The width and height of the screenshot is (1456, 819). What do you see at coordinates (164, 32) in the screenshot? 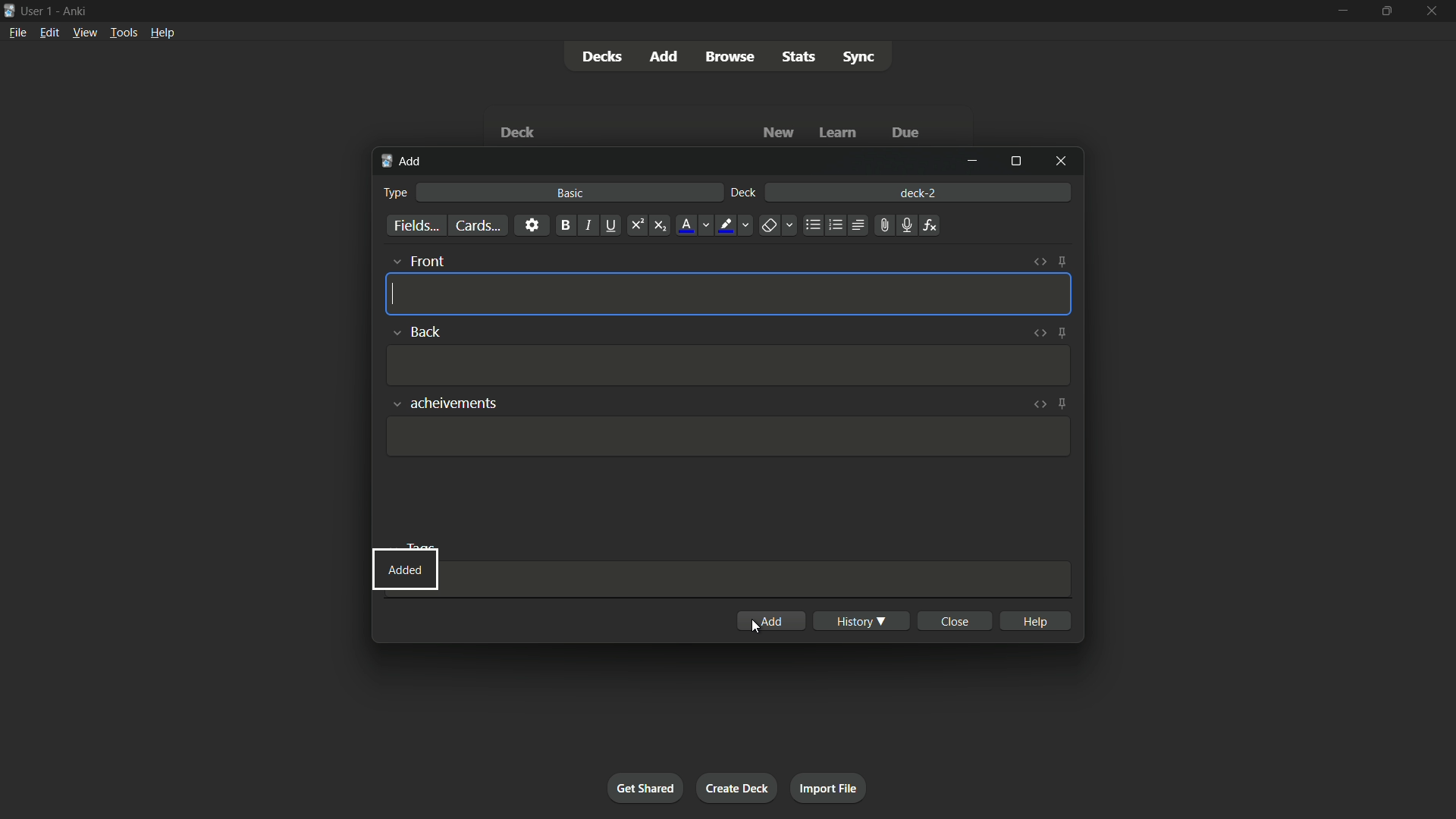
I see `help menu` at bounding box center [164, 32].